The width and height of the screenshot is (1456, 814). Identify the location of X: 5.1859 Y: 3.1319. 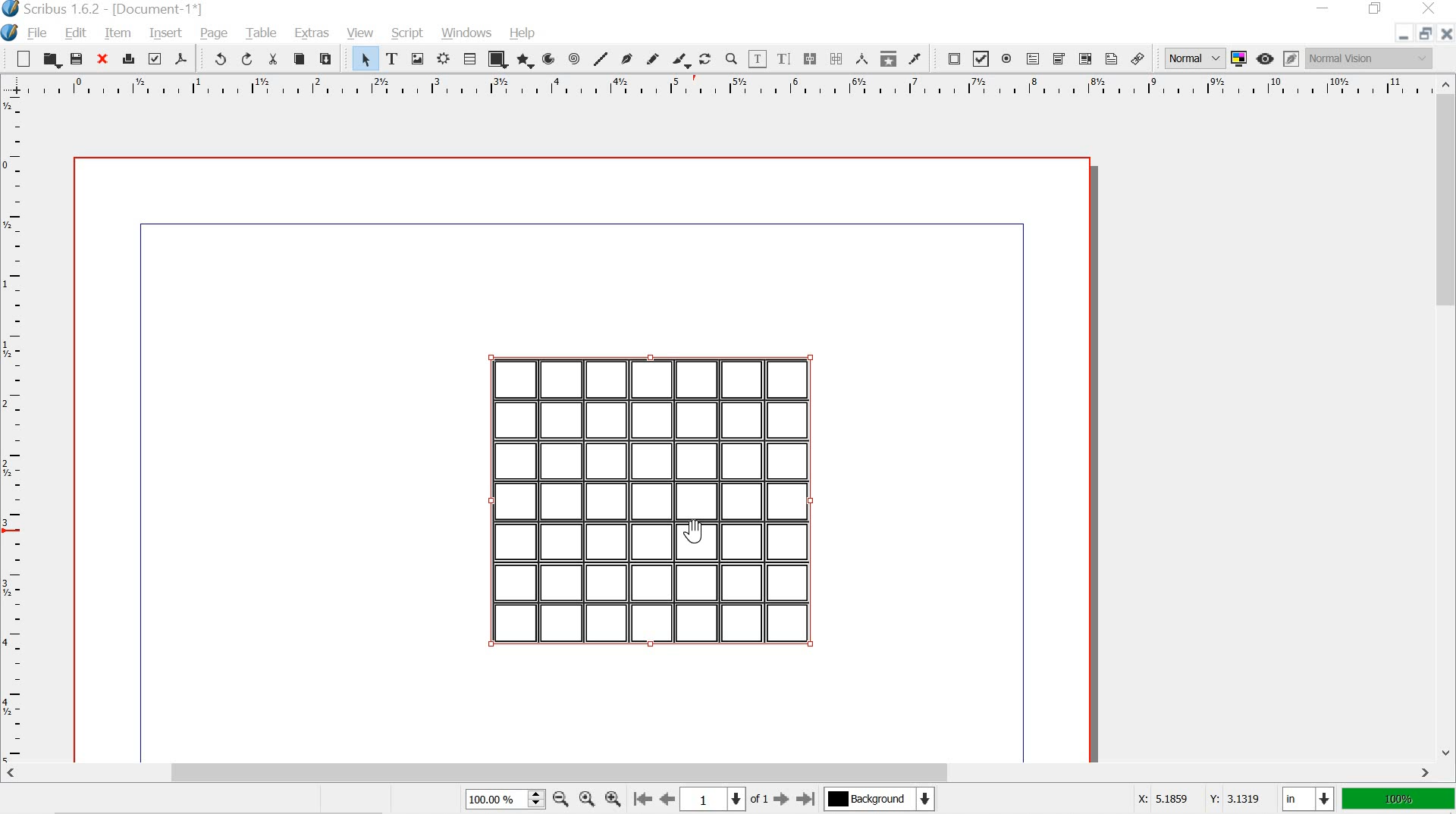
(1198, 800).